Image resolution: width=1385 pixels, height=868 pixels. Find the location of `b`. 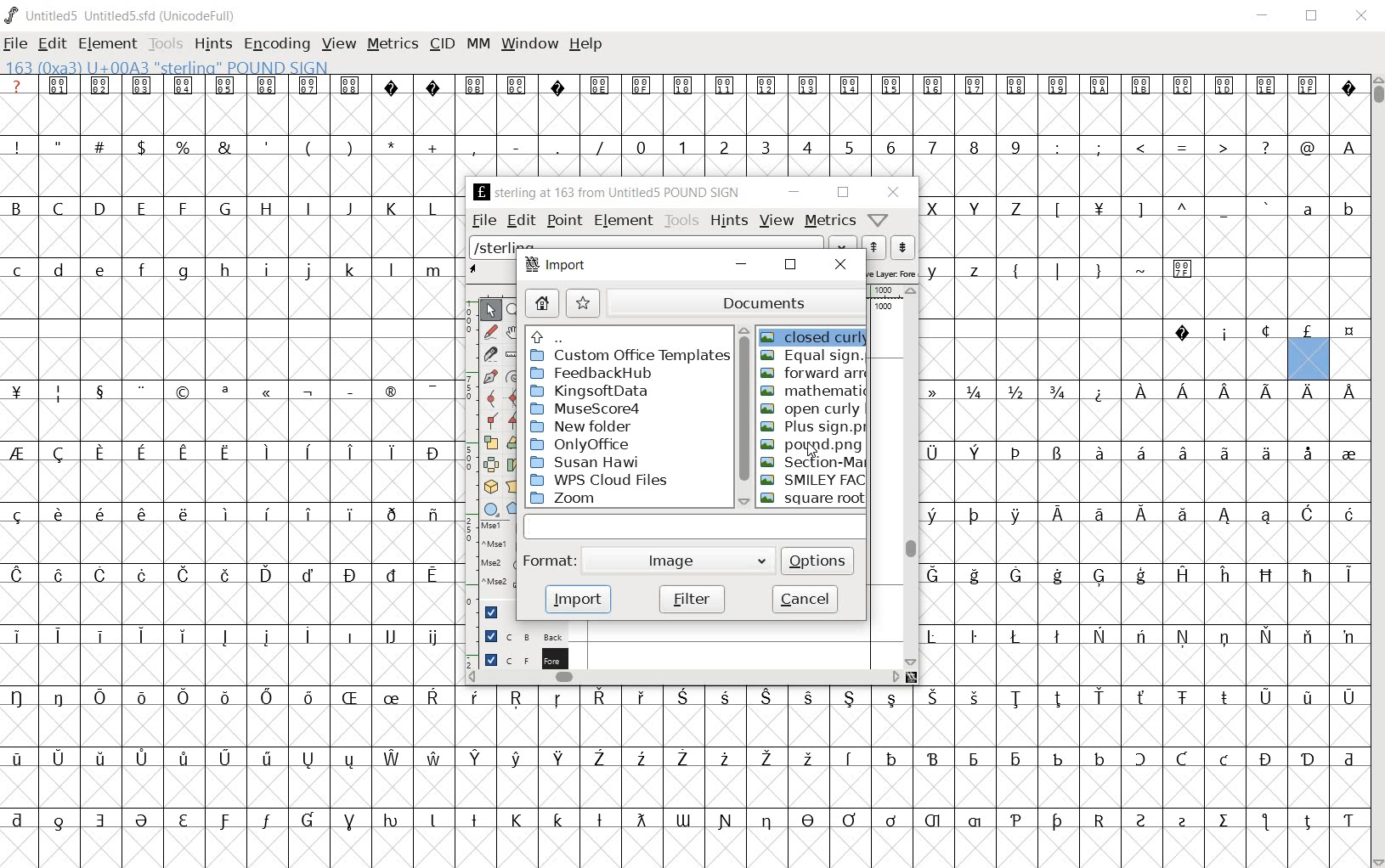

b is located at coordinates (1347, 208).